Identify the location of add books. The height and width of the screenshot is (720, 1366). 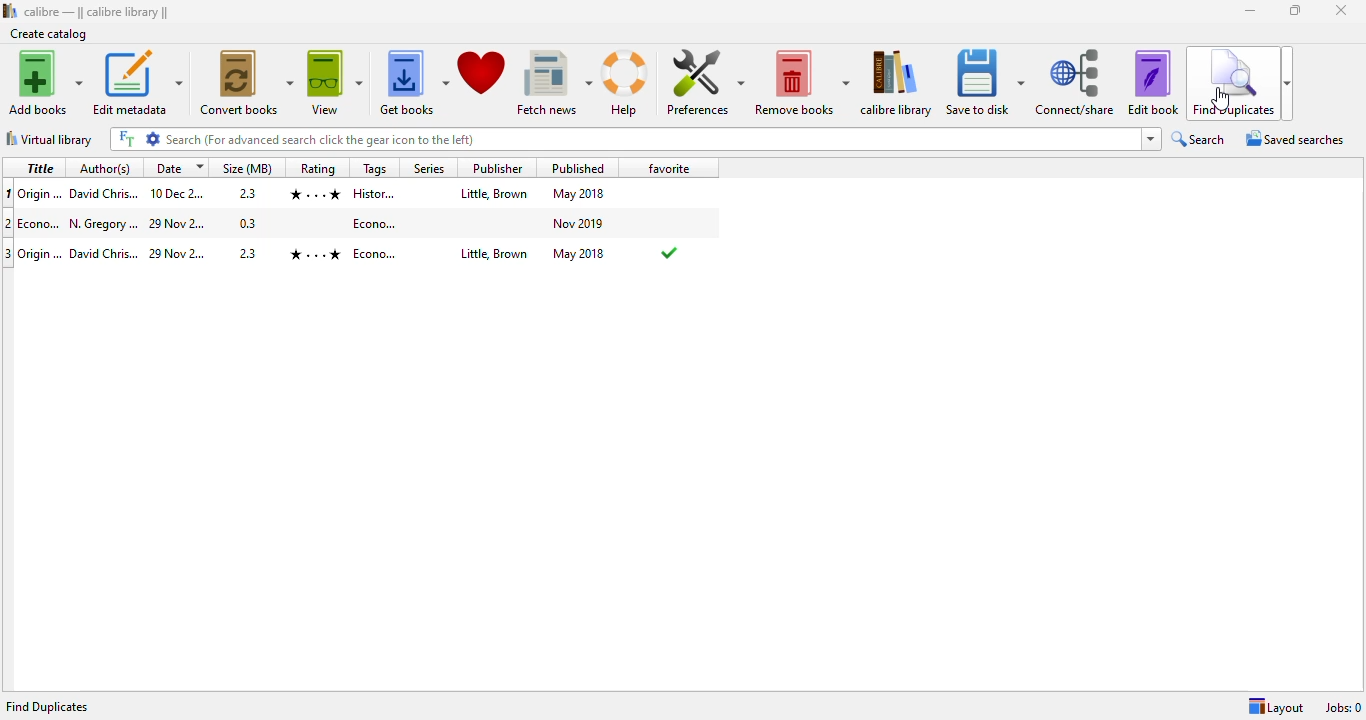
(46, 82).